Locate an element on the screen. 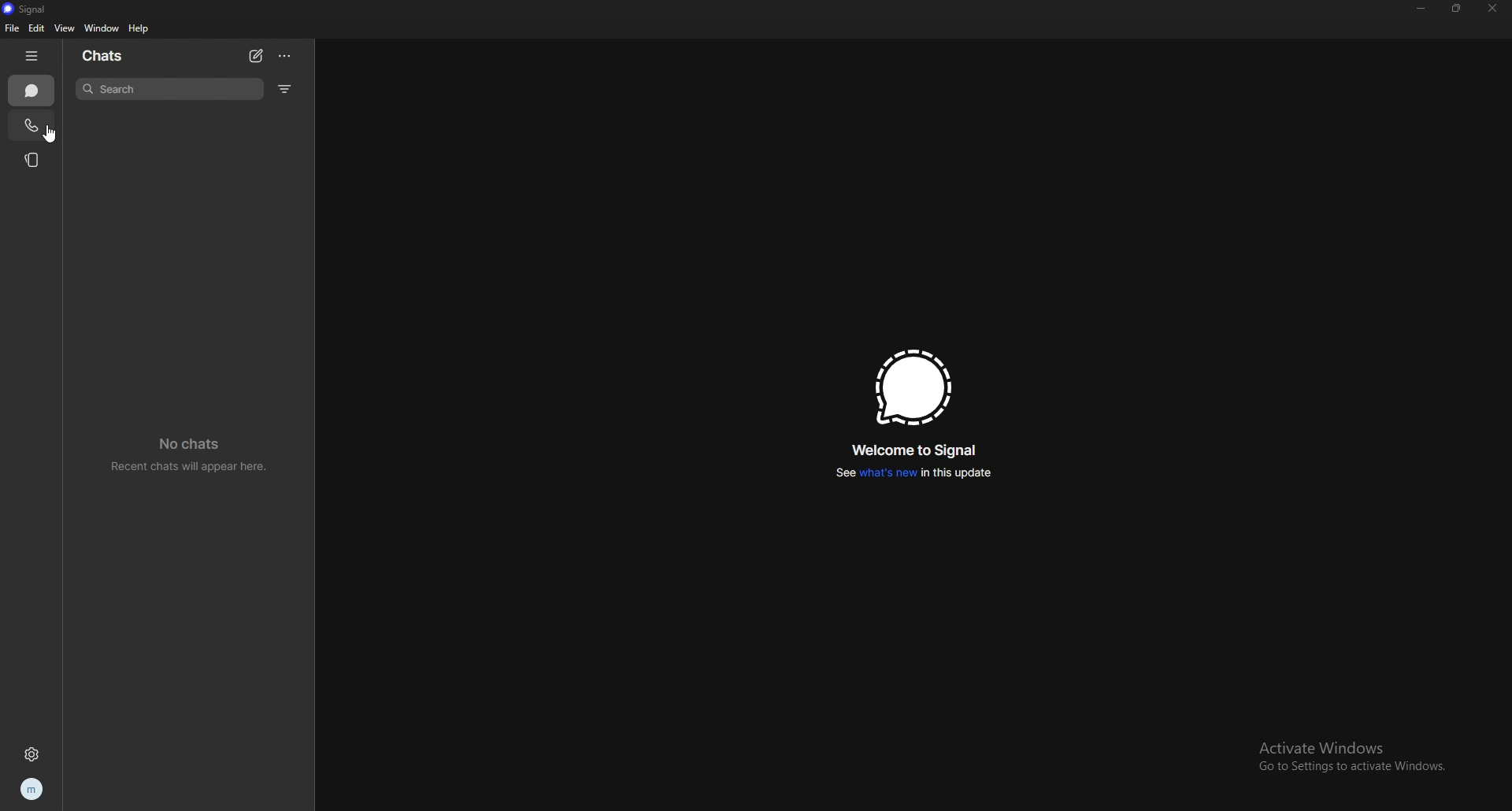 Image resolution: width=1512 pixels, height=811 pixels. calls is located at coordinates (32, 124).